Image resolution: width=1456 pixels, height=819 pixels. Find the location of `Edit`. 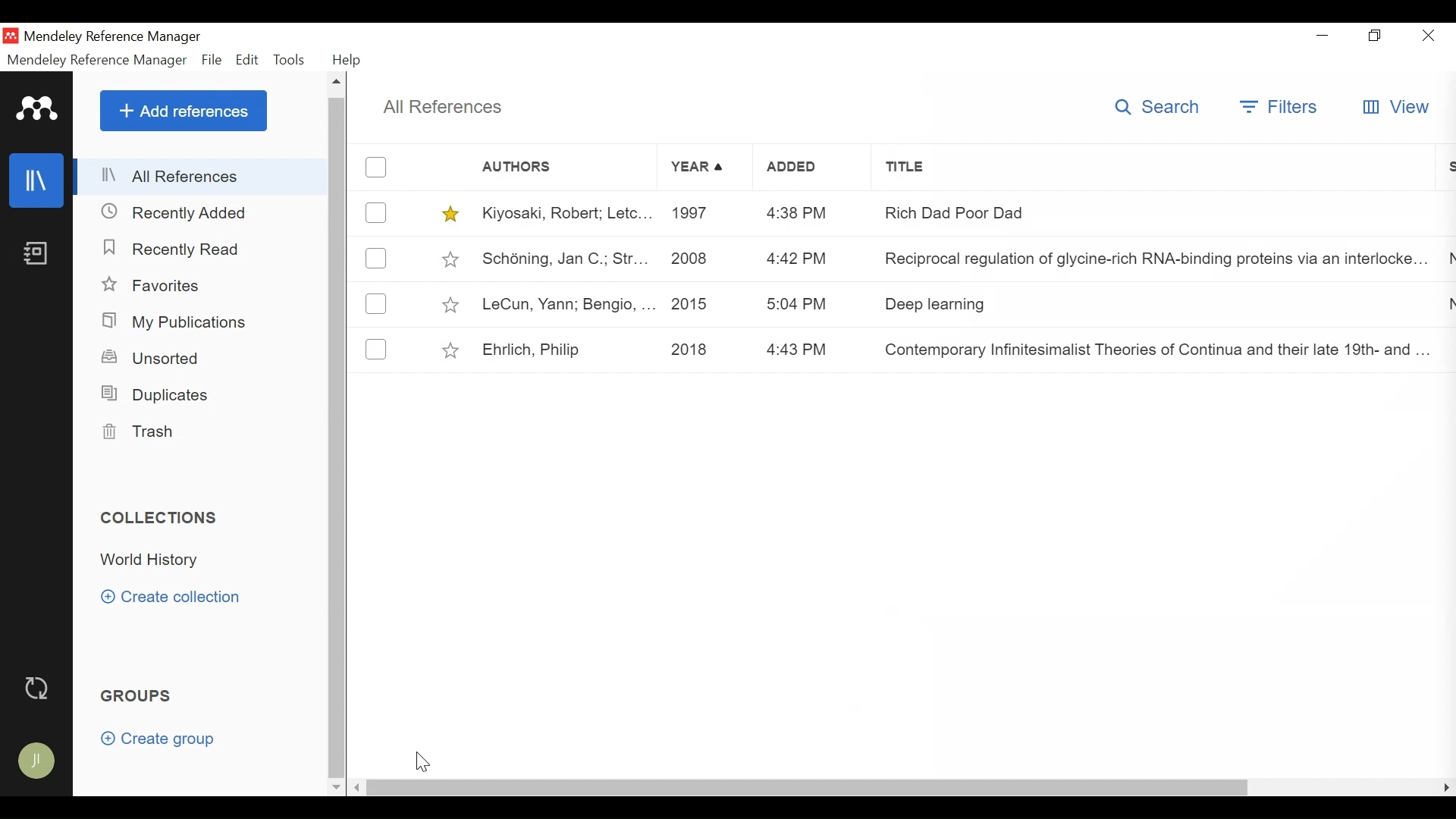

Edit is located at coordinates (248, 59).